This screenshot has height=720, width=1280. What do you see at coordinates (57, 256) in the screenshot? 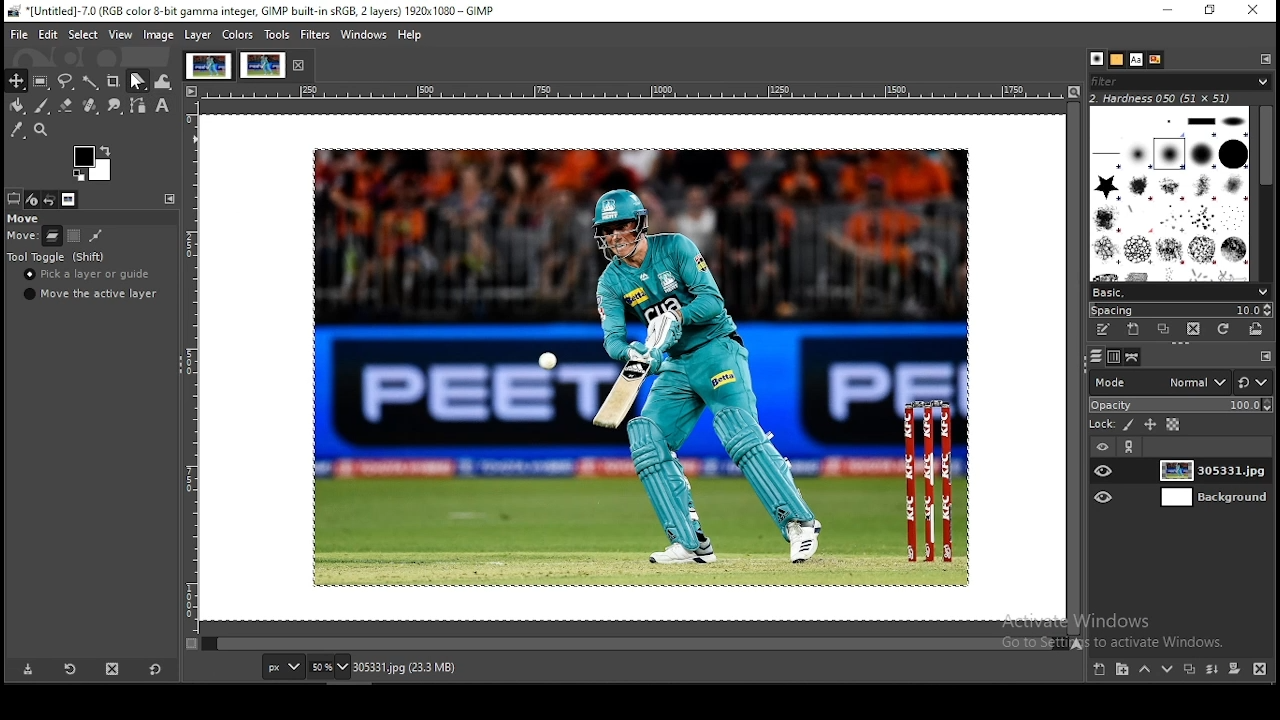
I see `tool toggle (shift)` at bounding box center [57, 256].